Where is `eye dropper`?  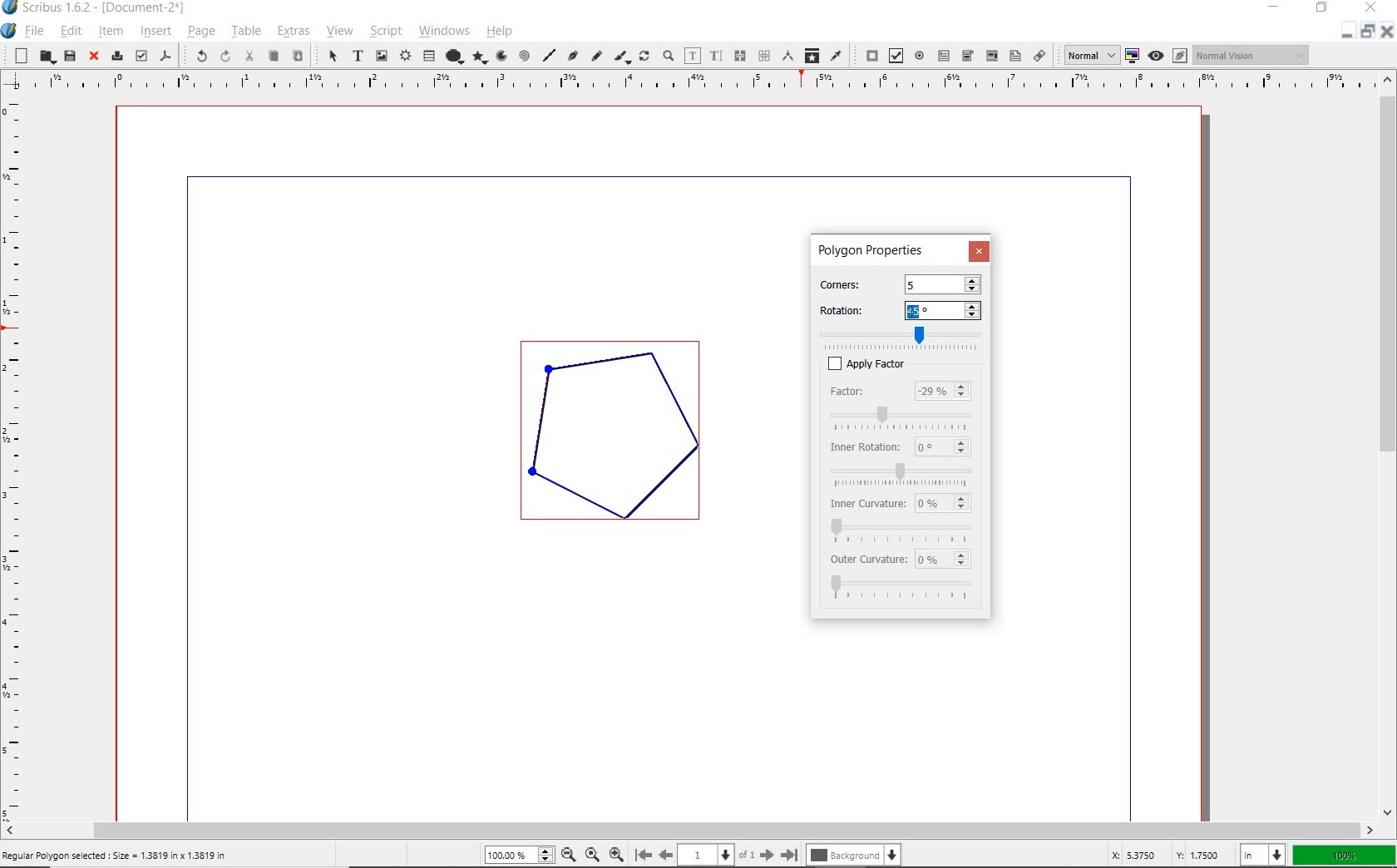 eye dropper is located at coordinates (837, 55).